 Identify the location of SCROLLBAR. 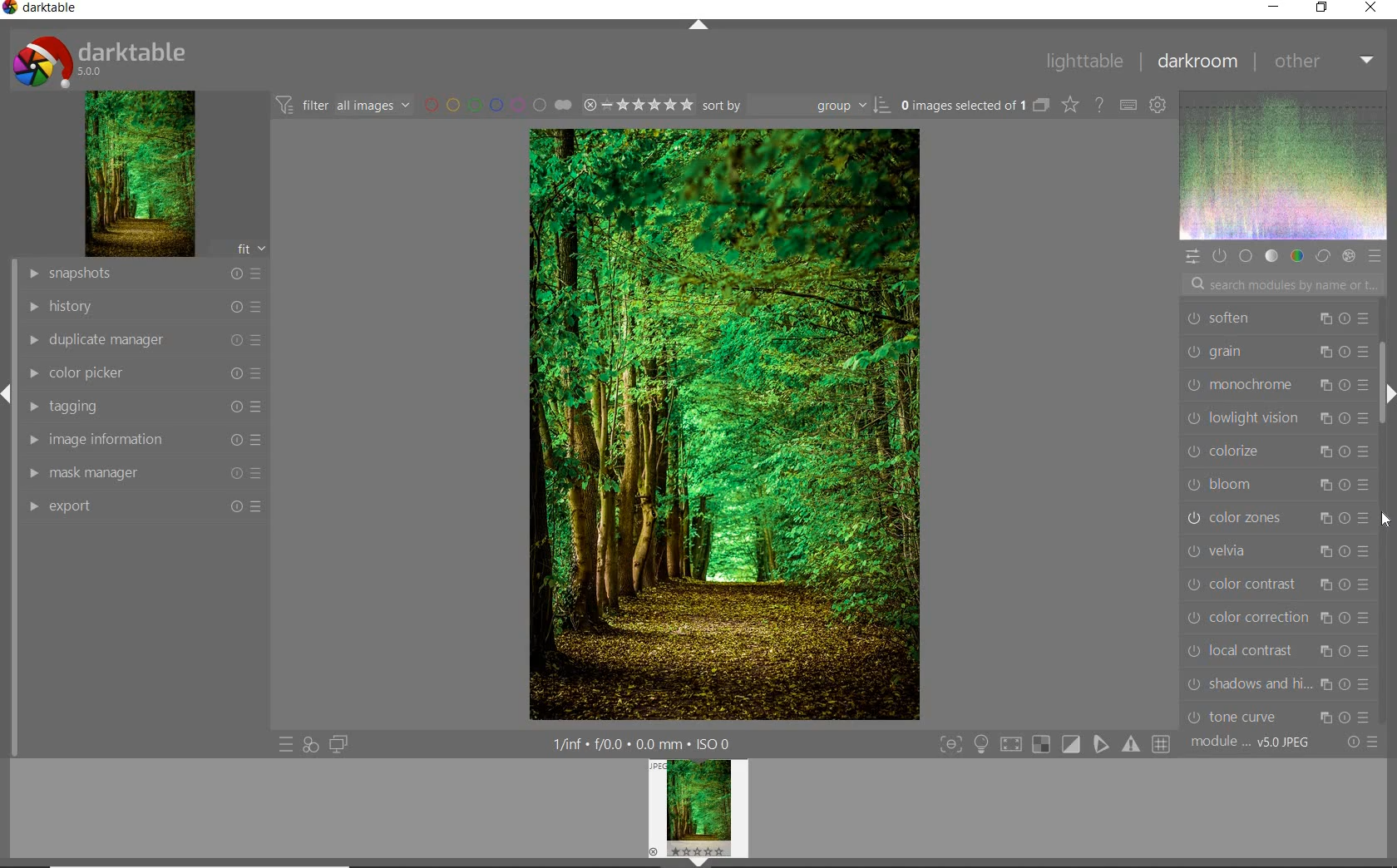
(1386, 361).